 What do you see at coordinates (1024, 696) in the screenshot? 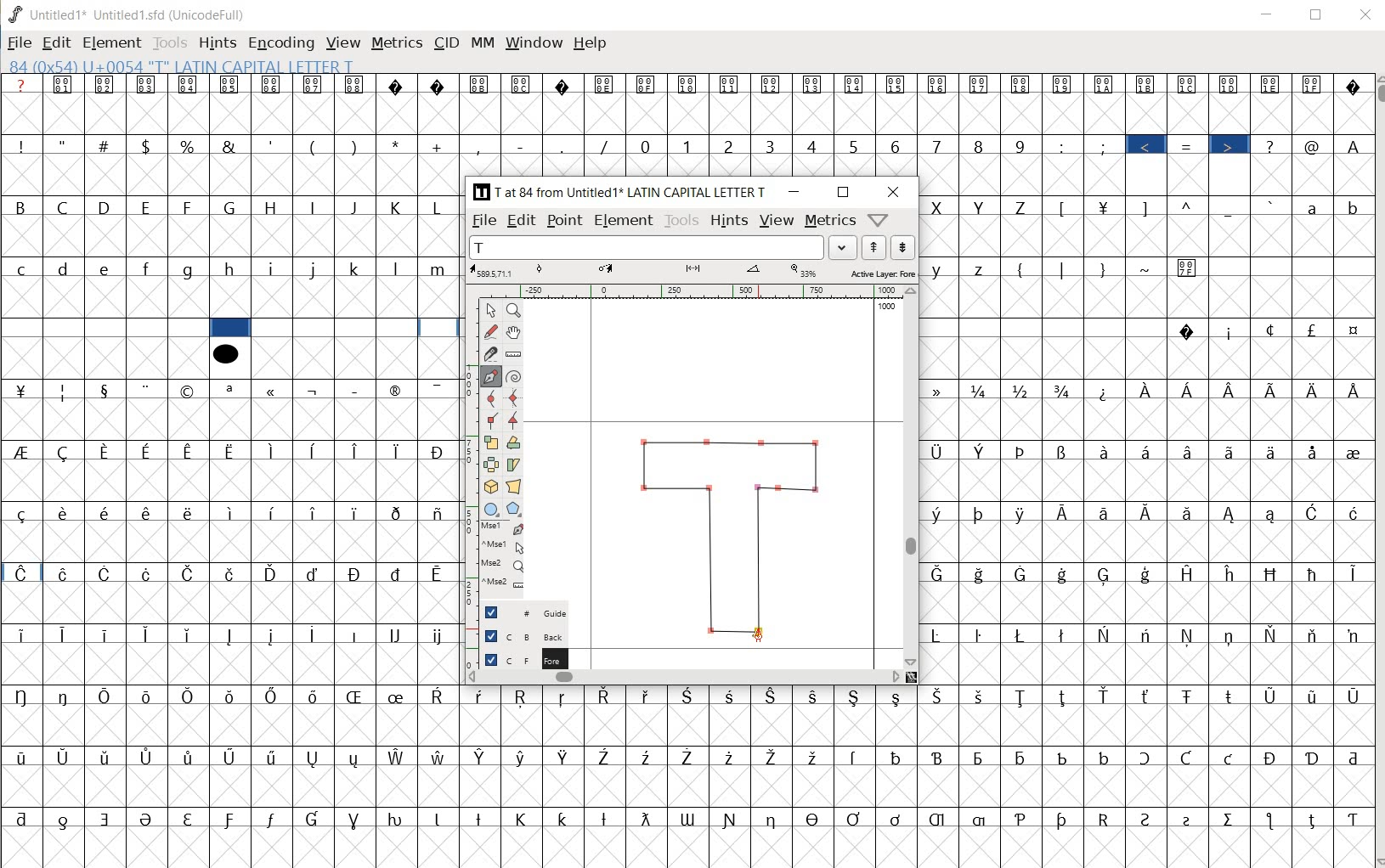
I see `Symbol` at bounding box center [1024, 696].